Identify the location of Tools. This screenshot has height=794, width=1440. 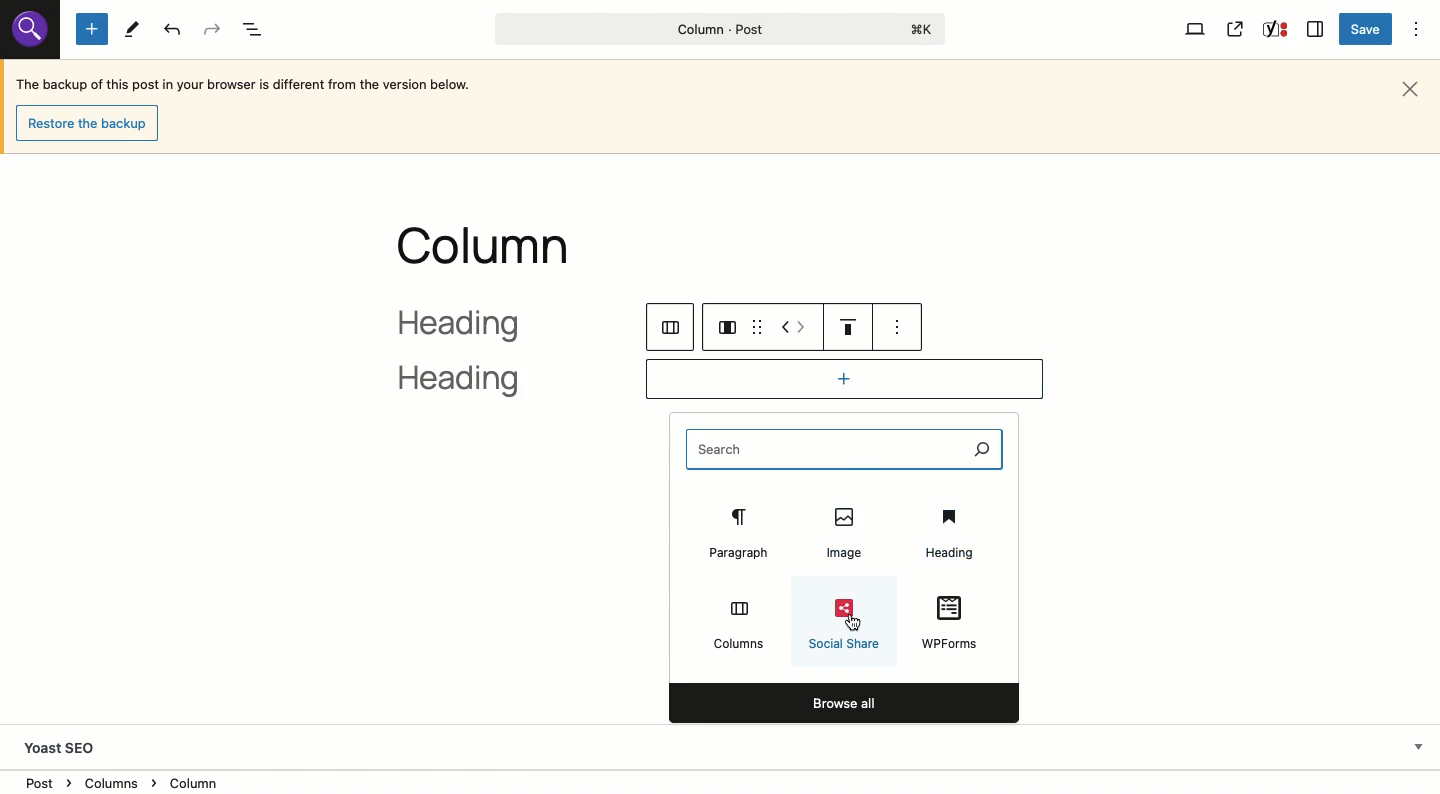
(132, 30).